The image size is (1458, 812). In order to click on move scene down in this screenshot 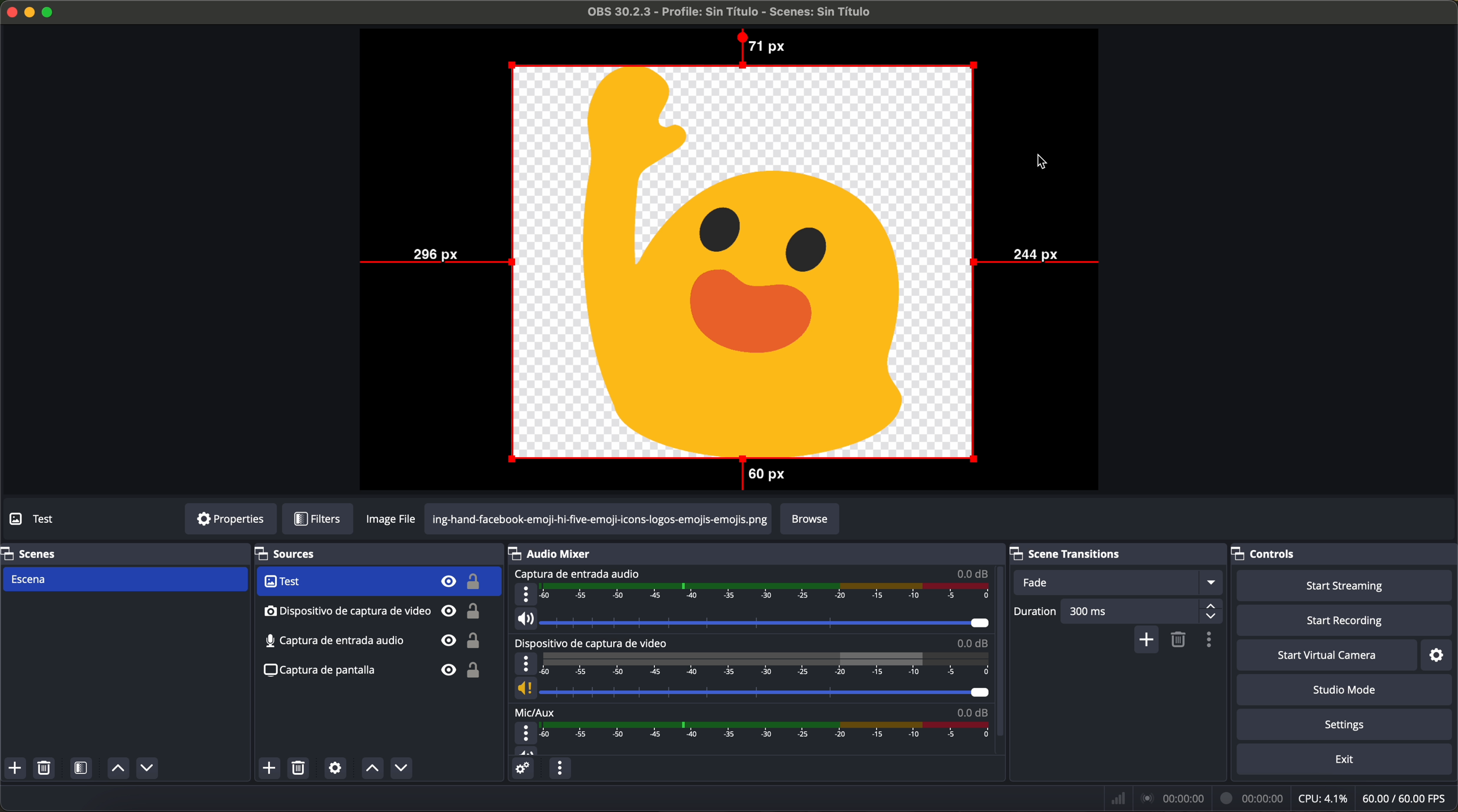, I will do `click(147, 770)`.